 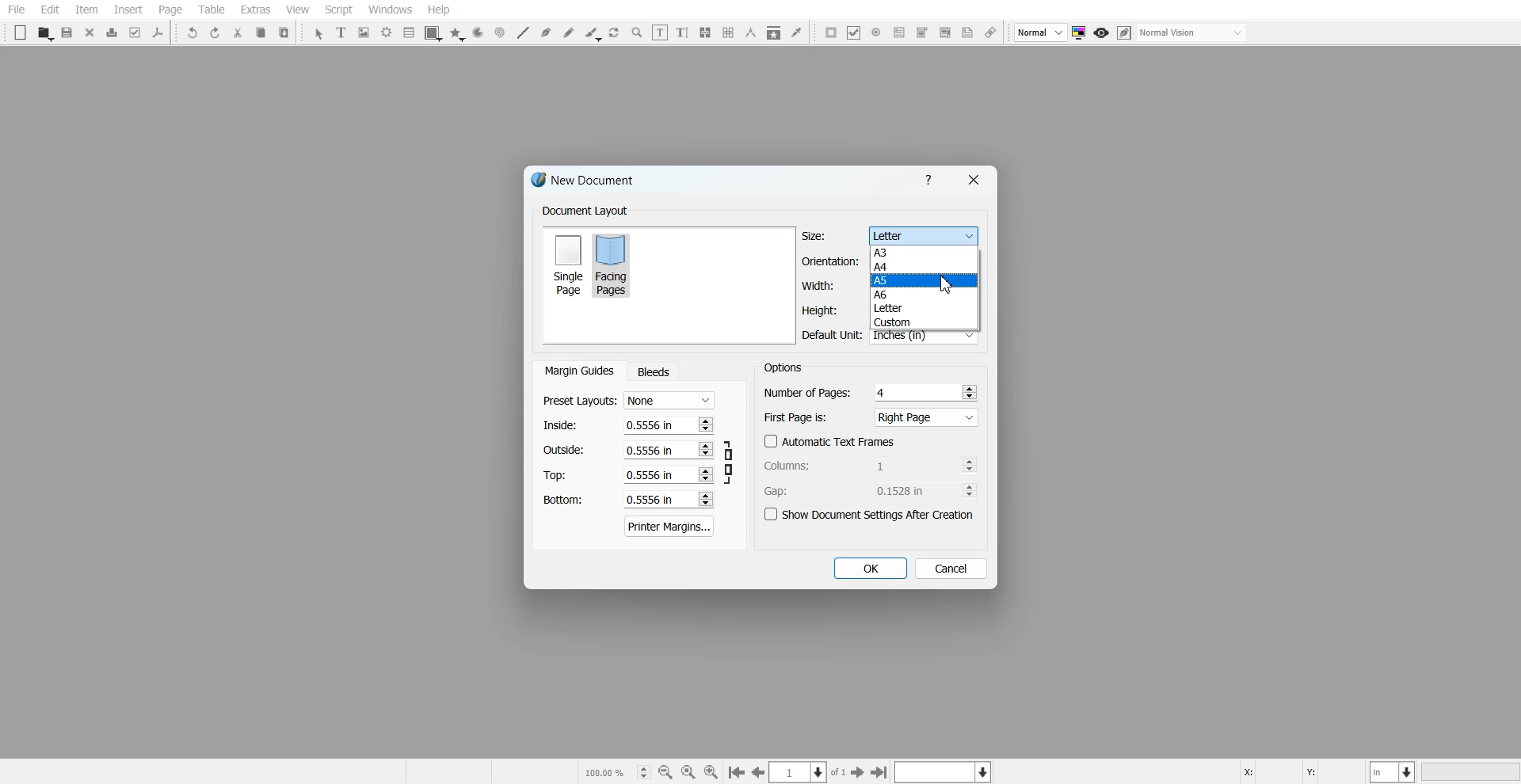 I want to click on Link Annotation, so click(x=990, y=33).